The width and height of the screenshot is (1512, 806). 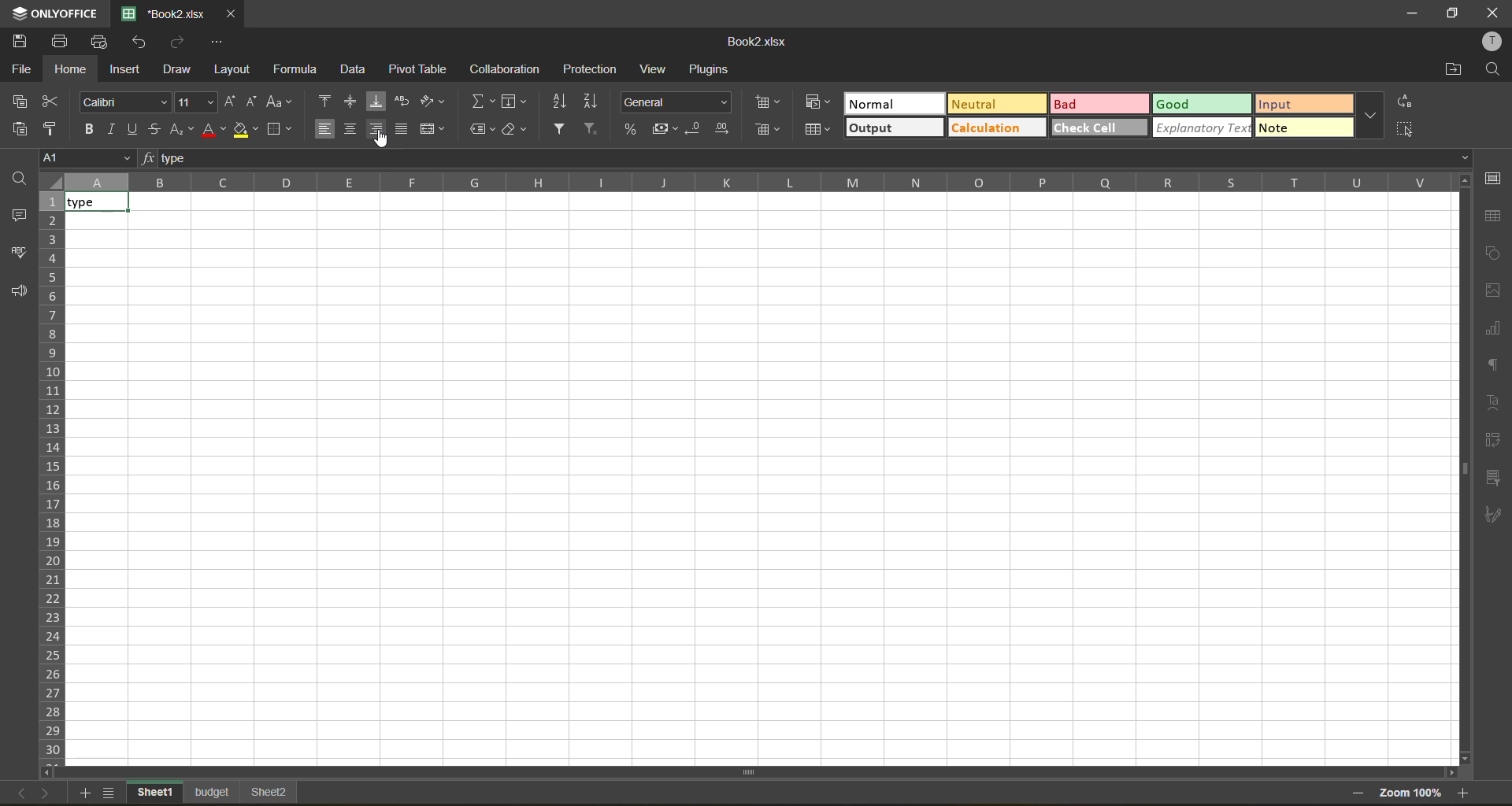 What do you see at coordinates (100, 43) in the screenshot?
I see `quick print` at bounding box center [100, 43].